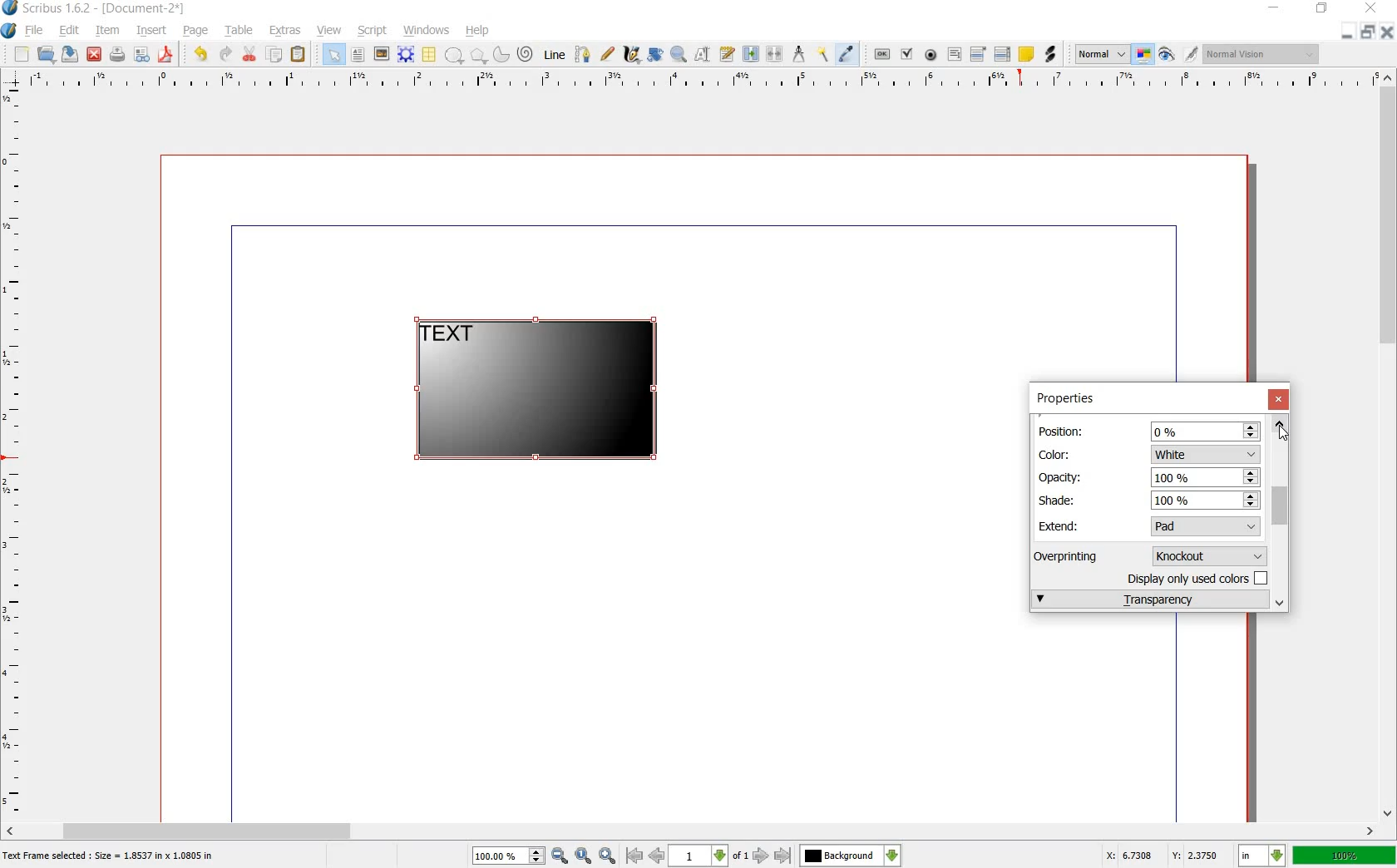 Image resolution: width=1397 pixels, height=868 pixels. Describe the element at coordinates (692, 830) in the screenshot. I see `scroll bar` at that location.